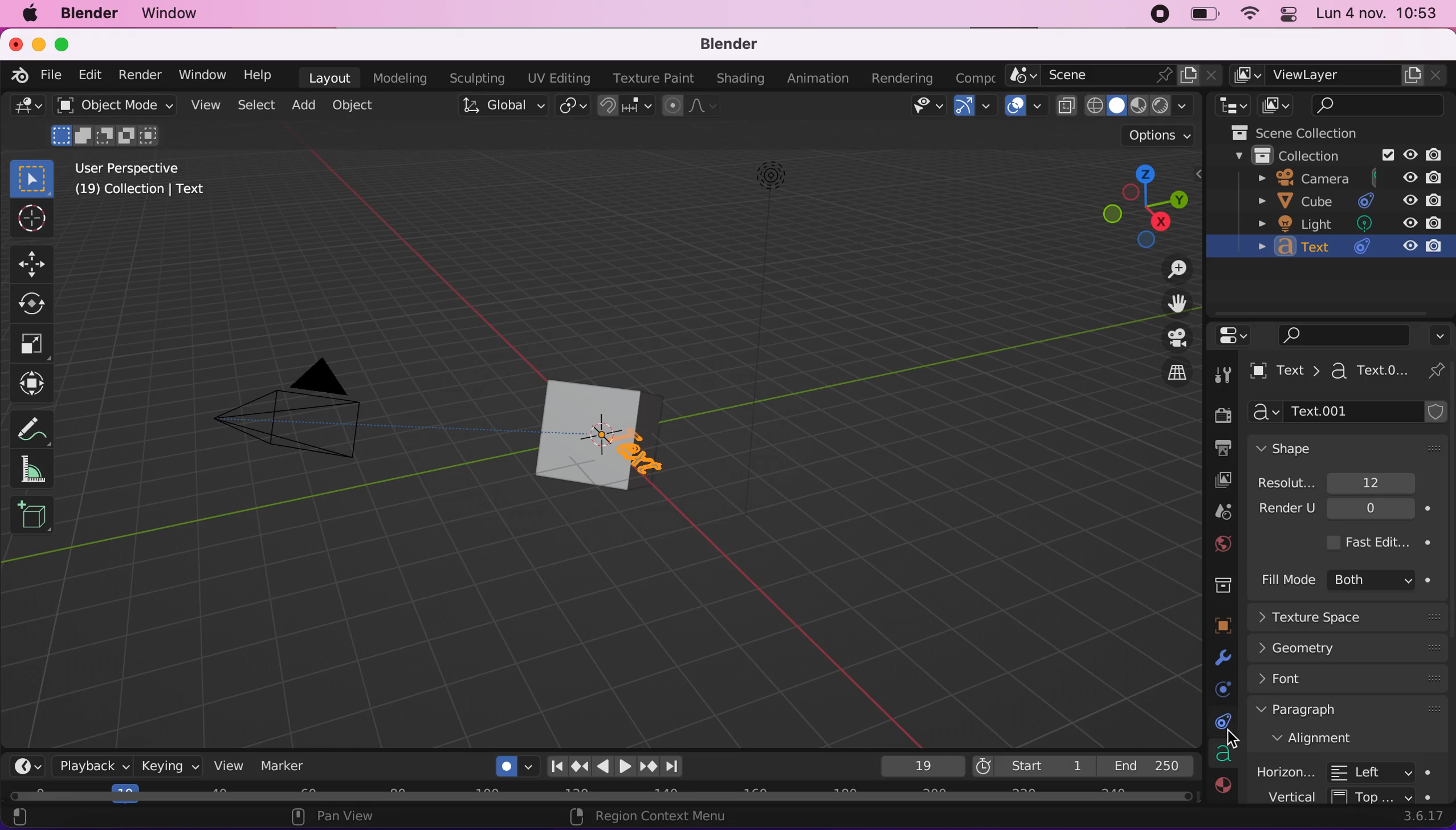 Image resolution: width=1456 pixels, height=830 pixels. I want to click on overlays, so click(1026, 105).